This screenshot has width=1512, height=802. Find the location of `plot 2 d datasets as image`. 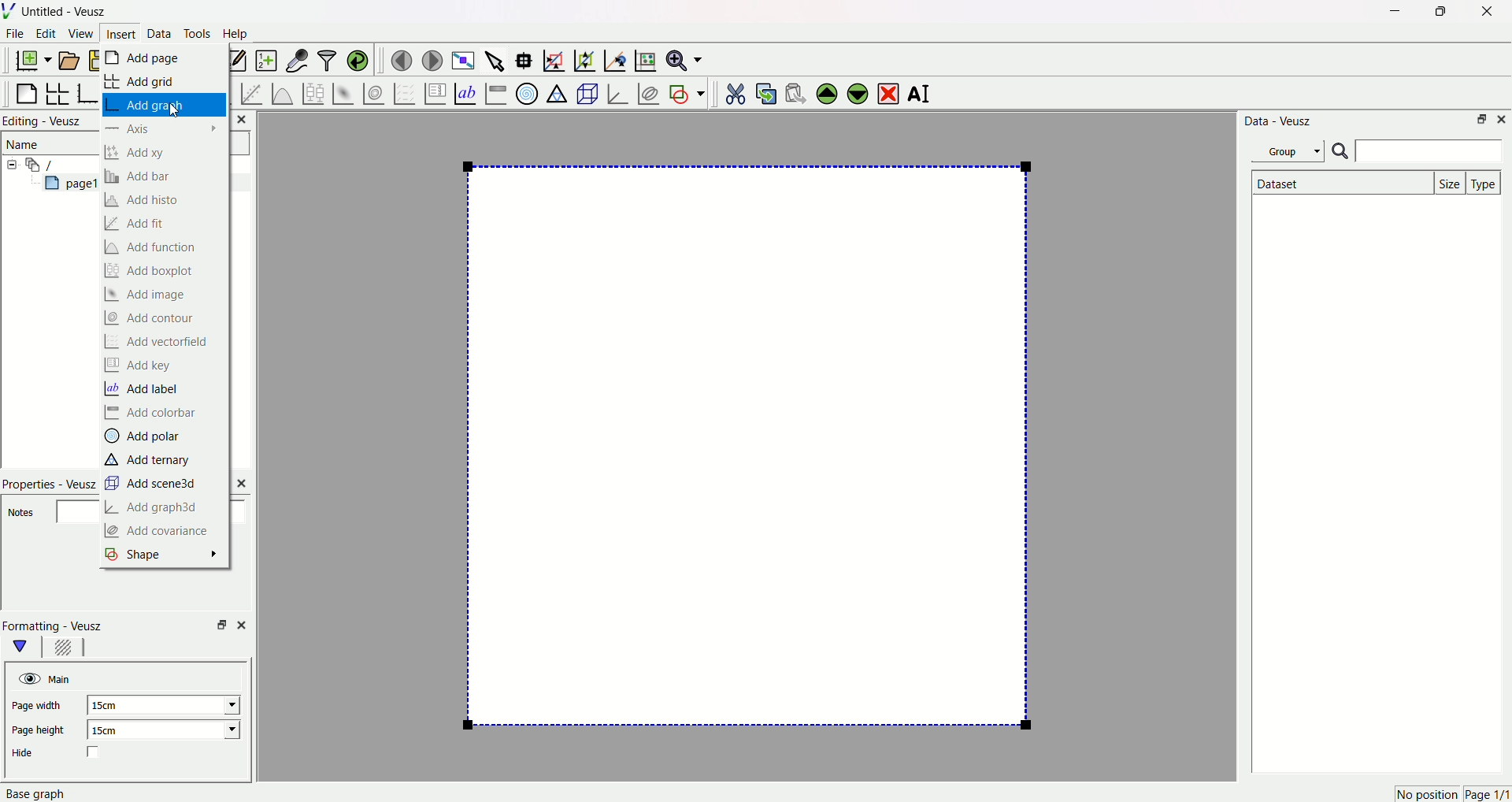

plot 2 d datasets as image is located at coordinates (343, 92).